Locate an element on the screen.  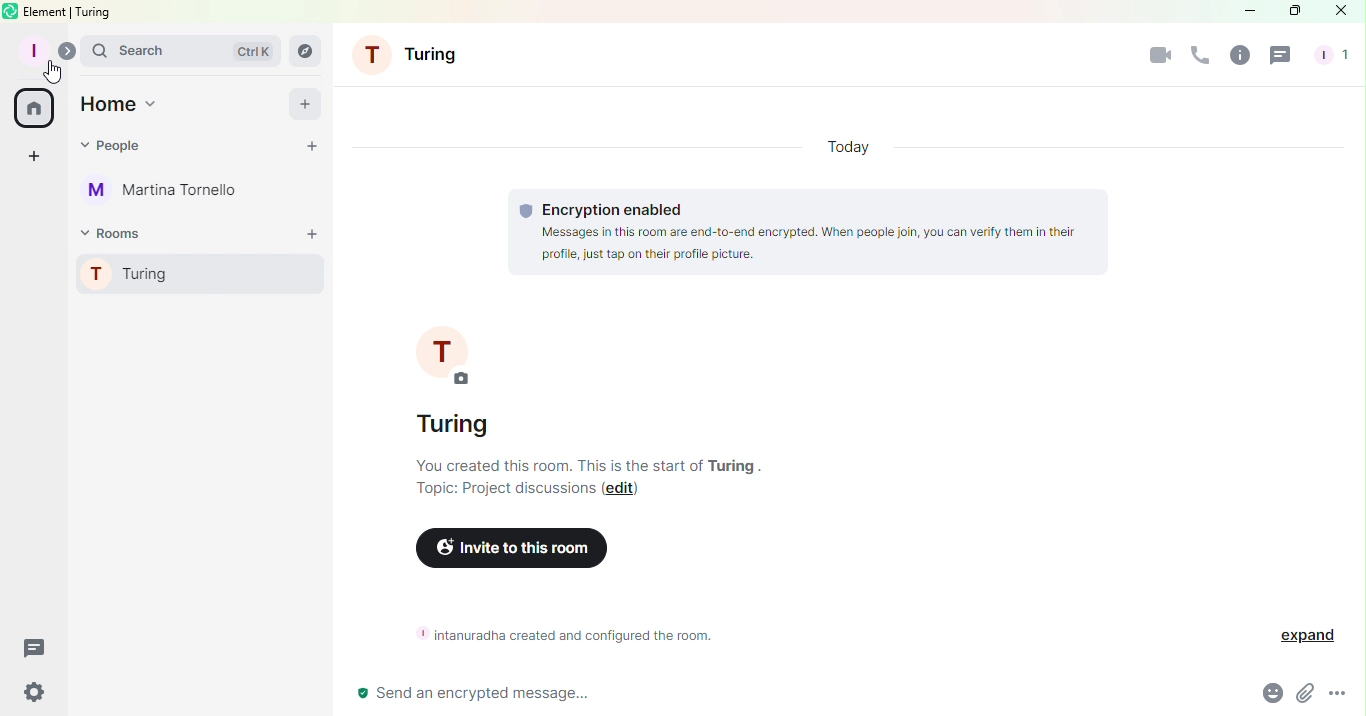
Room info is located at coordinates (1239, 54).